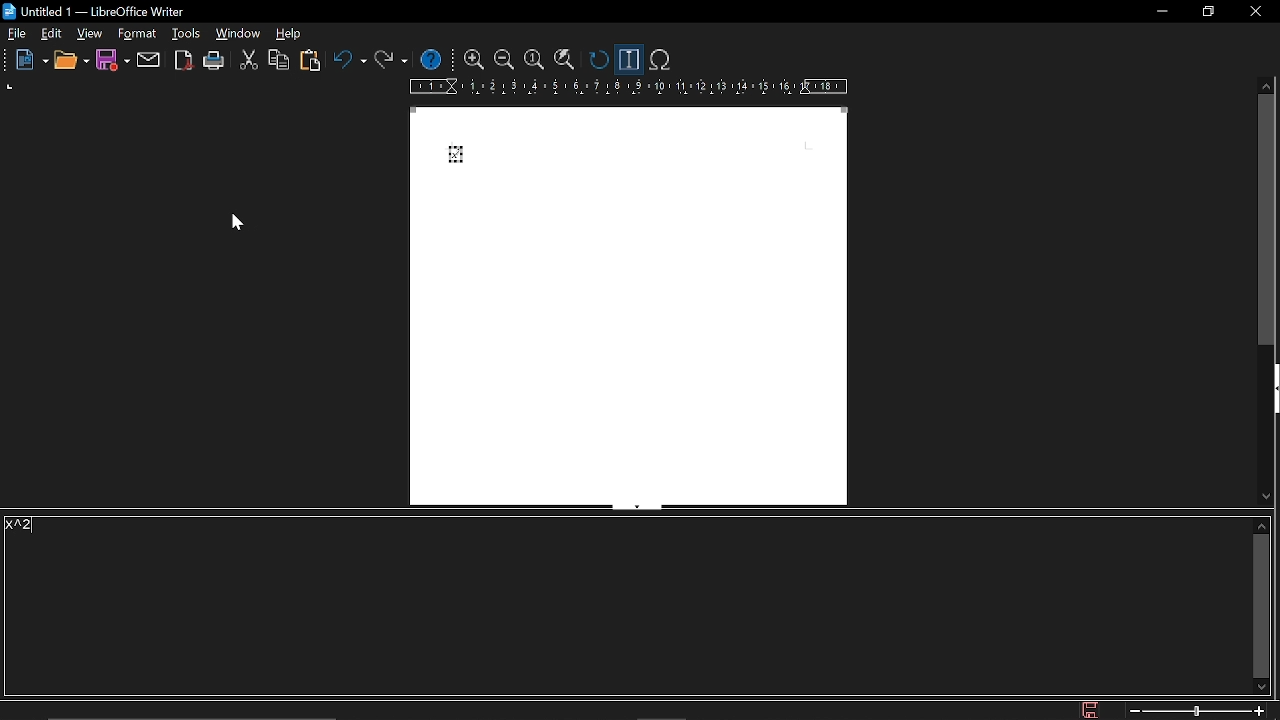  I want to click on print, so click(215, 61).